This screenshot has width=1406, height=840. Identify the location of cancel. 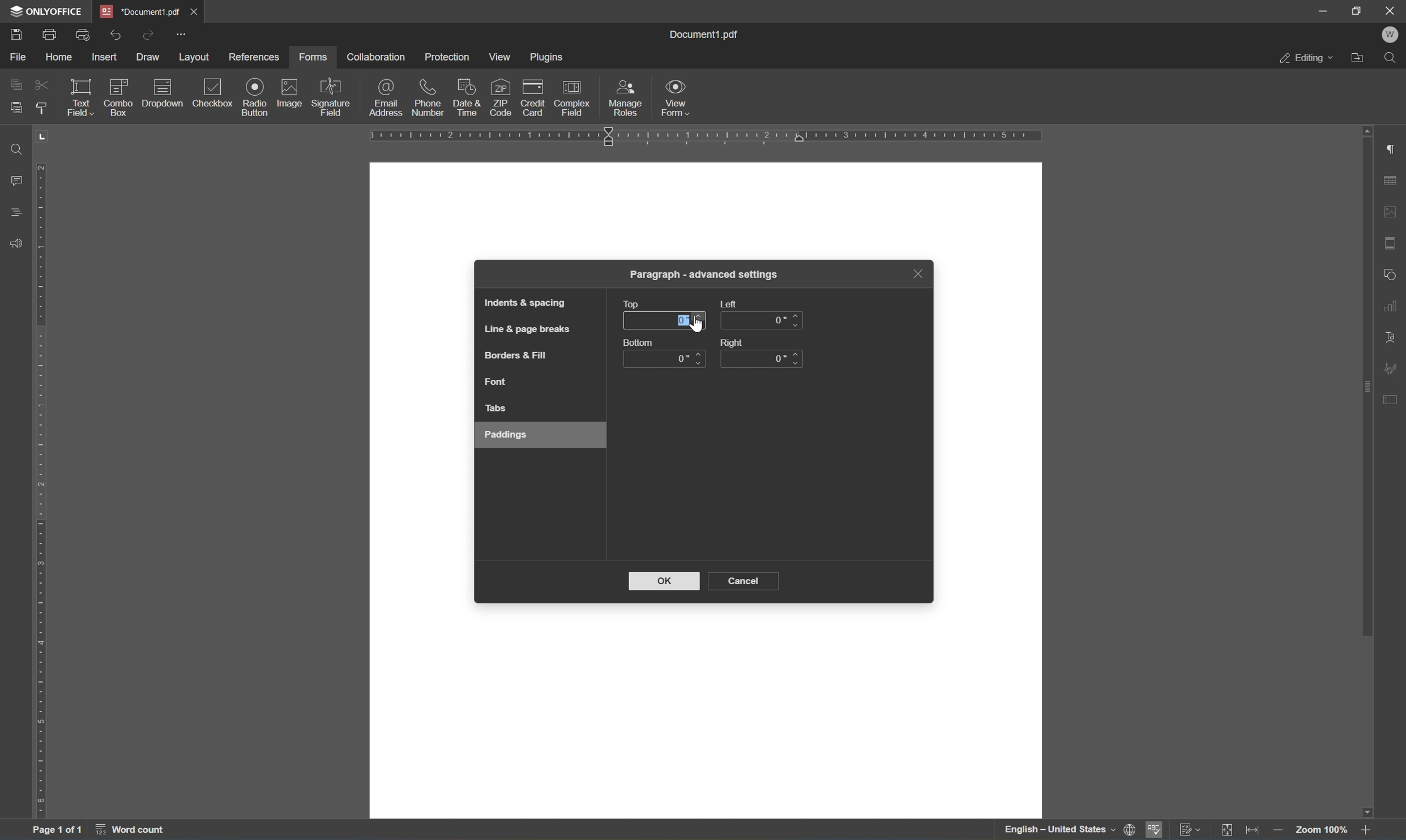
(748, 580).